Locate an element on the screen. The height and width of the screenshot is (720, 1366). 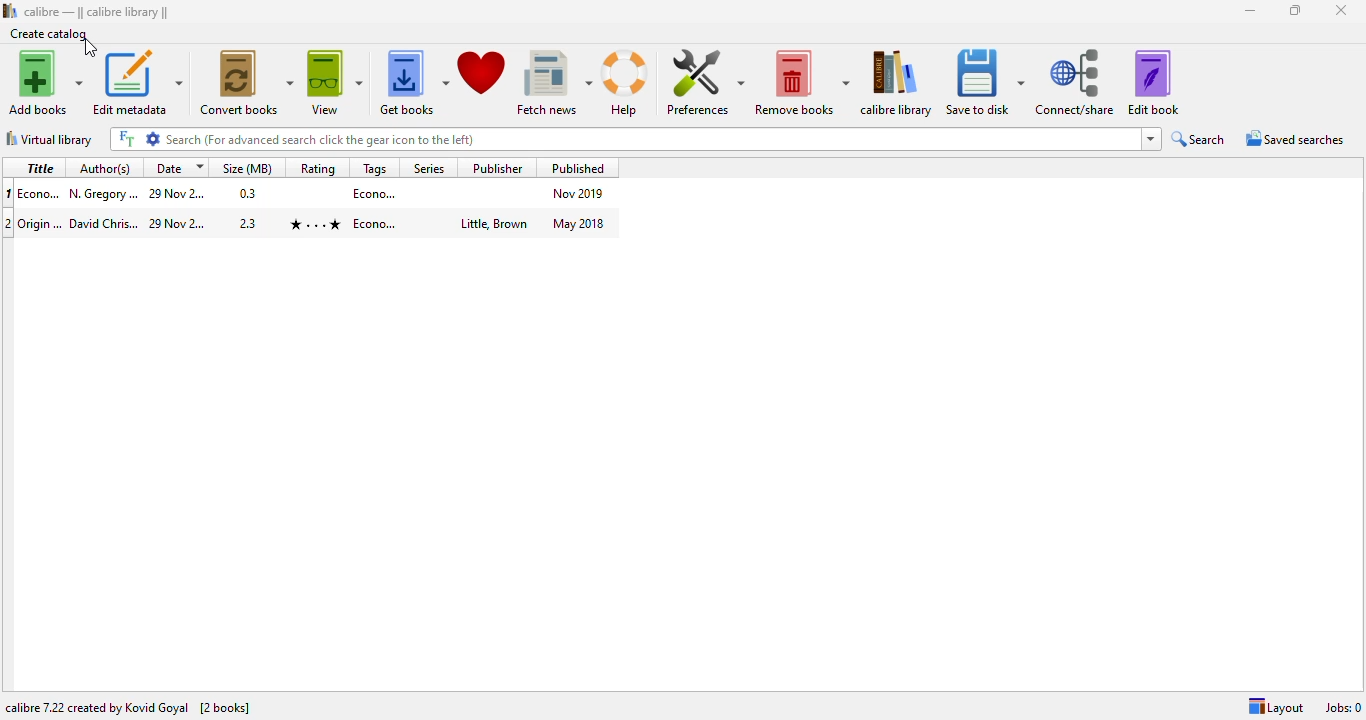
add books is located at coordinates (44, 82).